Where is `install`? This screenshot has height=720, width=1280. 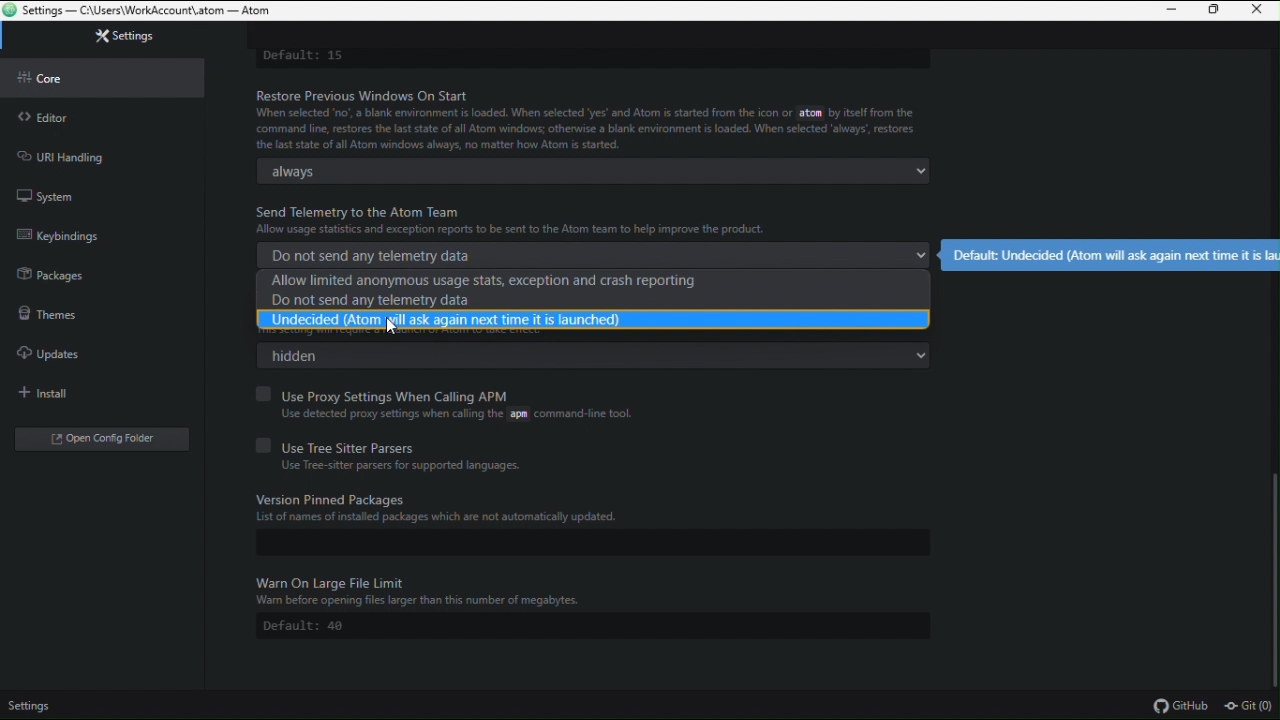 install is located at coordinates (93, 388).